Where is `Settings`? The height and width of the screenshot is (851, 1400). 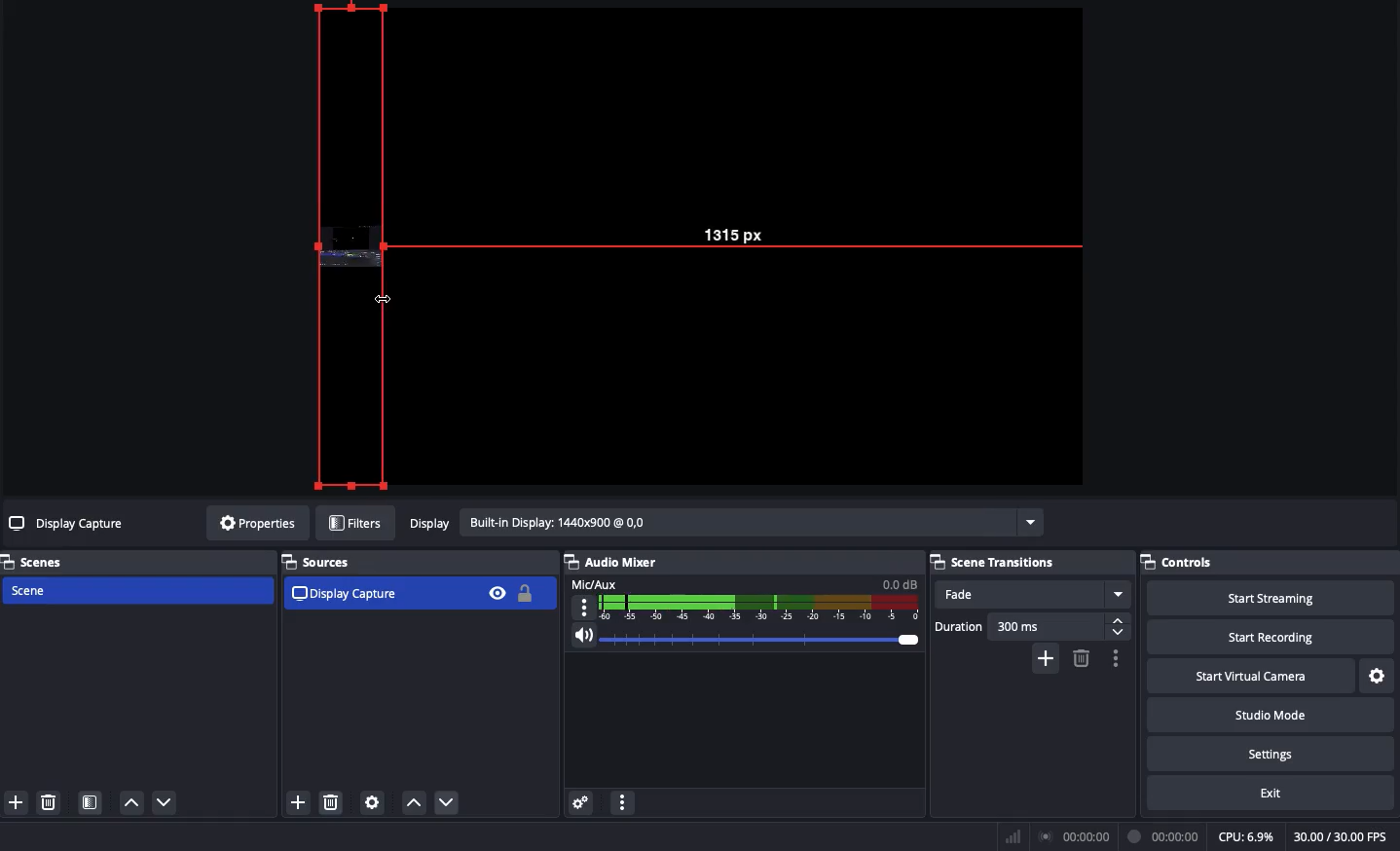 Settings is located at coordinates (1379, 677).